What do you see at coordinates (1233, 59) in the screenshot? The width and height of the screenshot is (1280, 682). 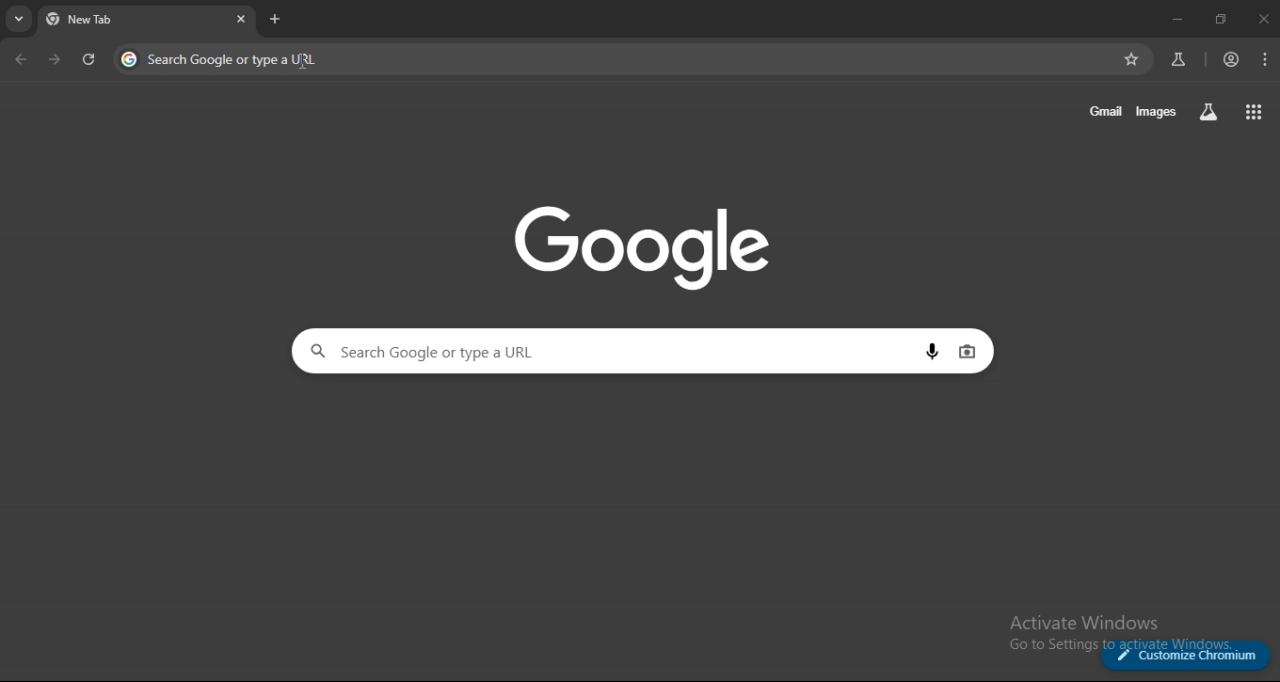 I see `account` at bounding box center [1233, 59].